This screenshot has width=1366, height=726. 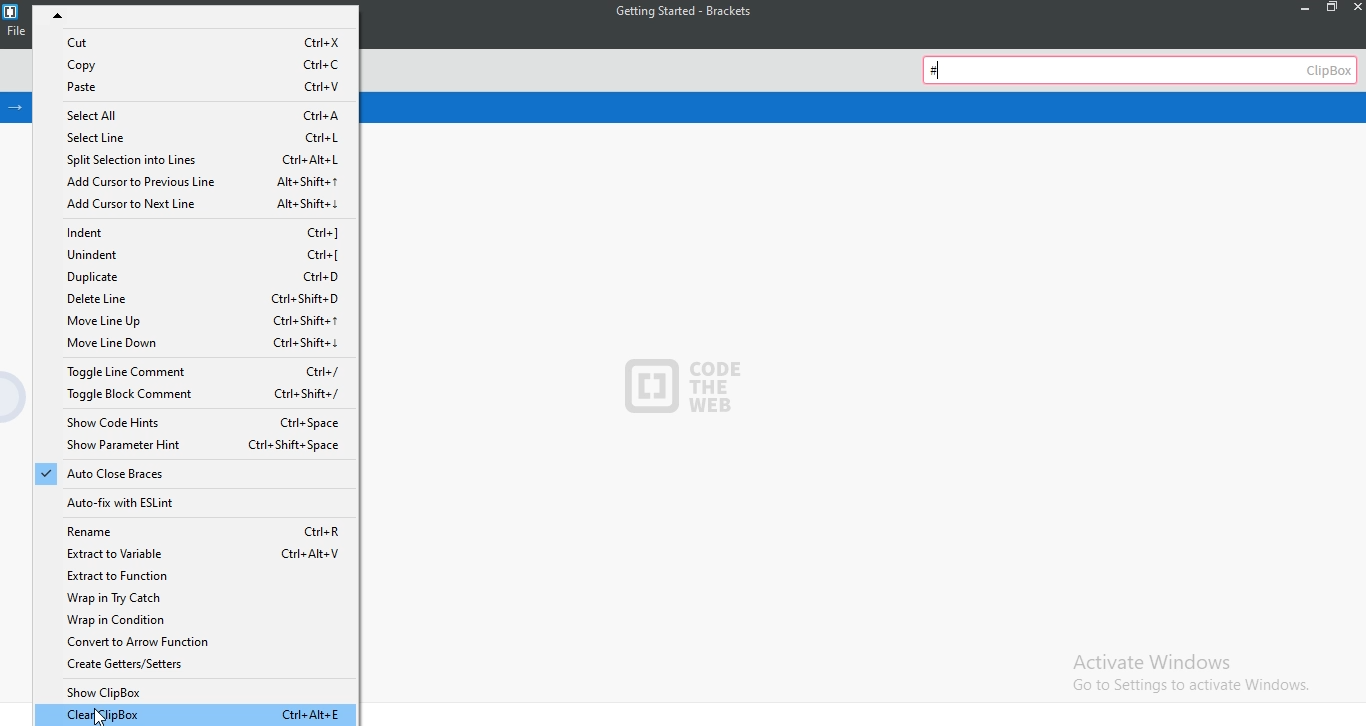 I want to click on Move Lines Down, so click(x=196, y=346).